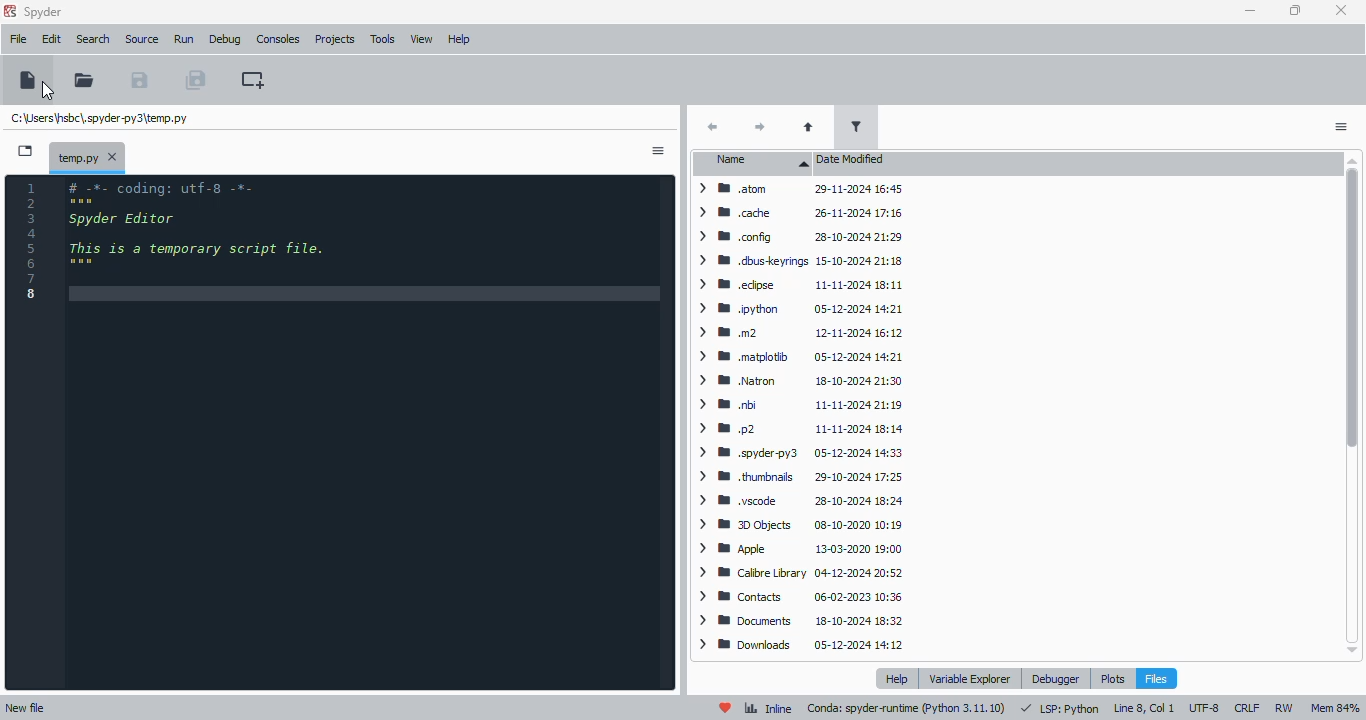 The width and height of the screenshot is (1366, 720). What do you see at coordinates (336, 39) in the screenshot?
I see `projects` at bounding box center [336, 39].